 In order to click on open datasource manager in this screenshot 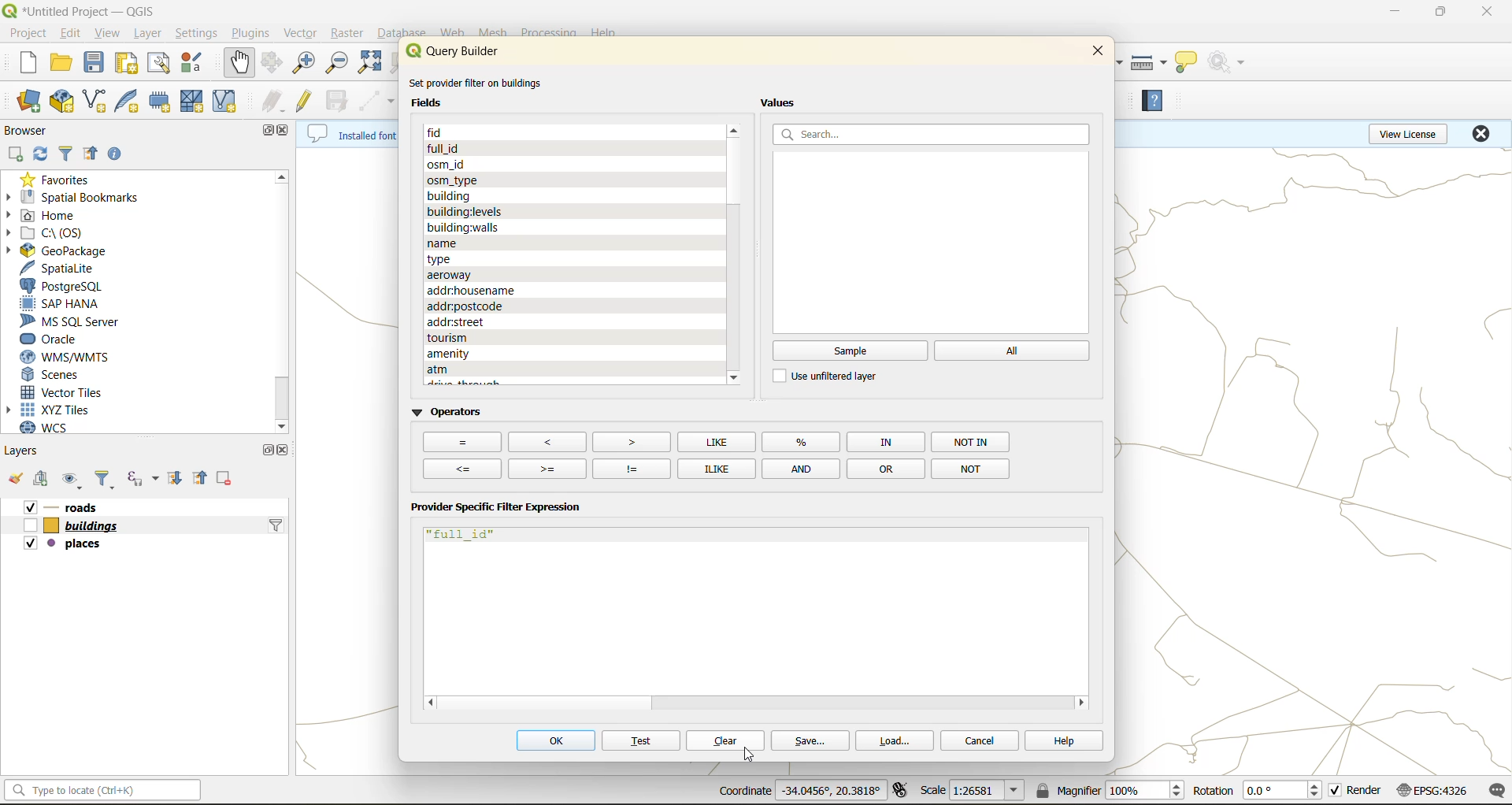, I will do `click(22, 98)`.